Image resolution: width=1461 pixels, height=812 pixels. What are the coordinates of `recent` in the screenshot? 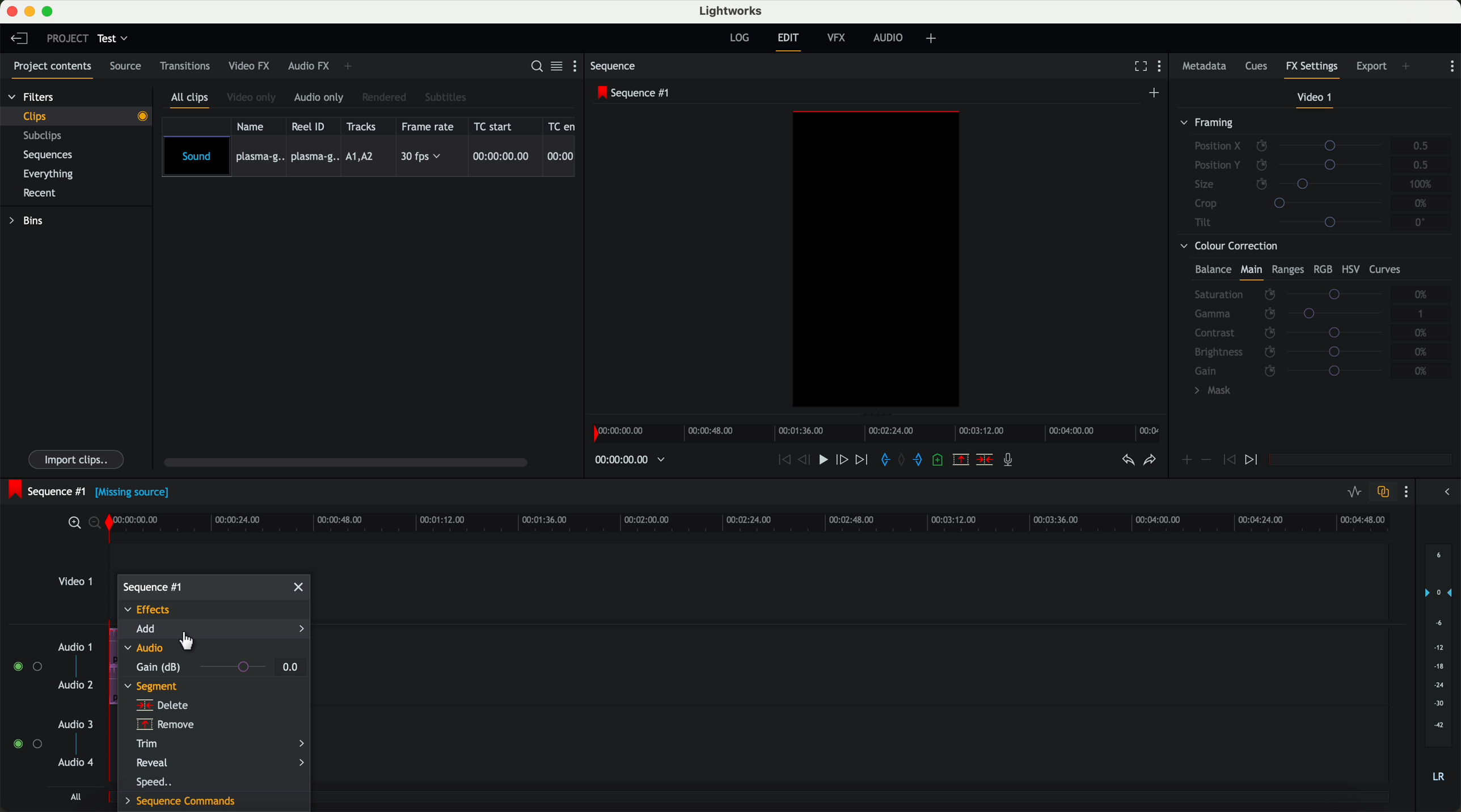 It's located at (38, 192).